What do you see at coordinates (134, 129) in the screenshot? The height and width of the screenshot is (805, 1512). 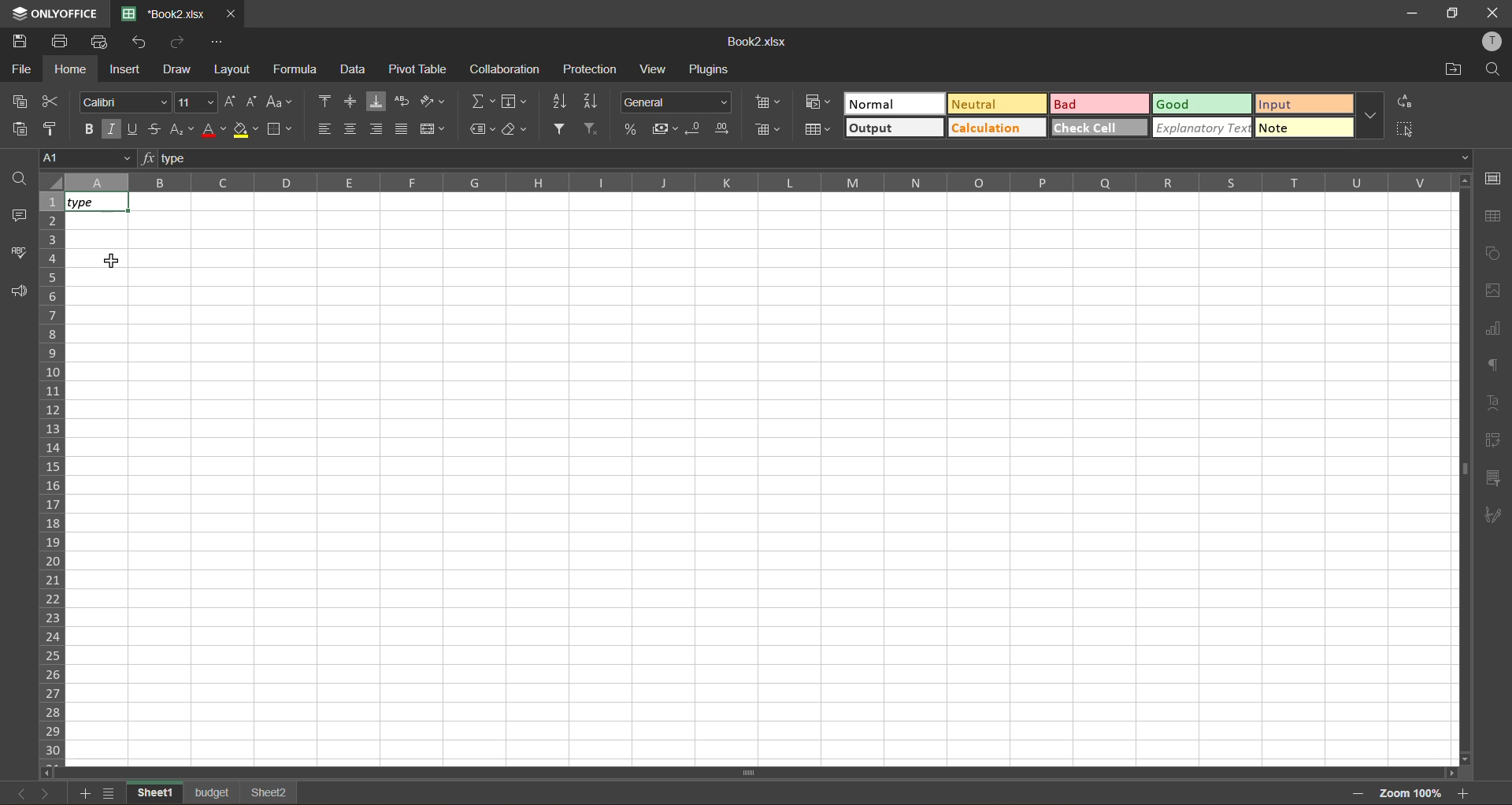 I see `underline` at bounding box center [134, 129].